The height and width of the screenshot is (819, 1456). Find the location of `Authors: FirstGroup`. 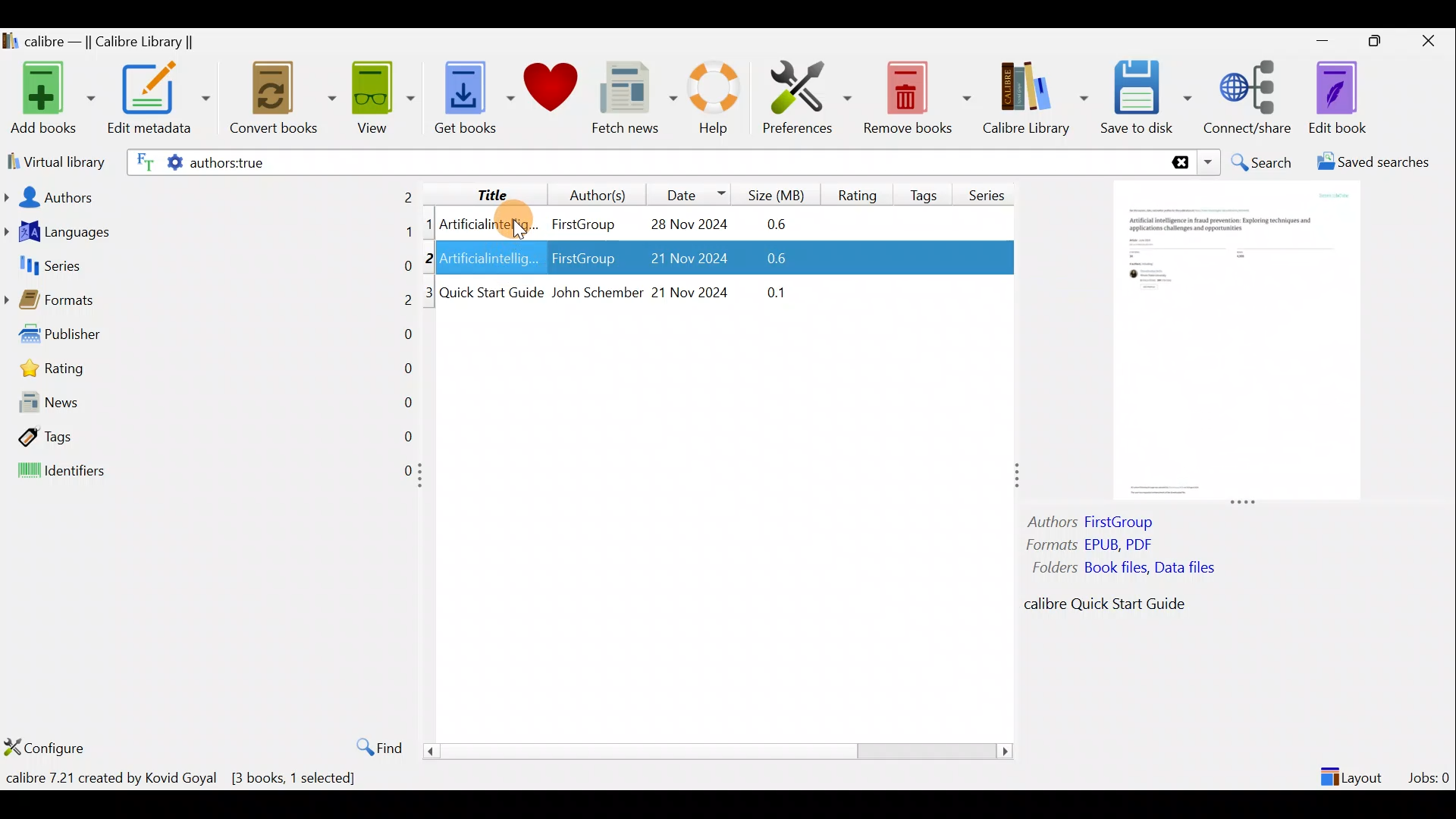

Authors: FirstGroup is located at coordinates (1095, 524).